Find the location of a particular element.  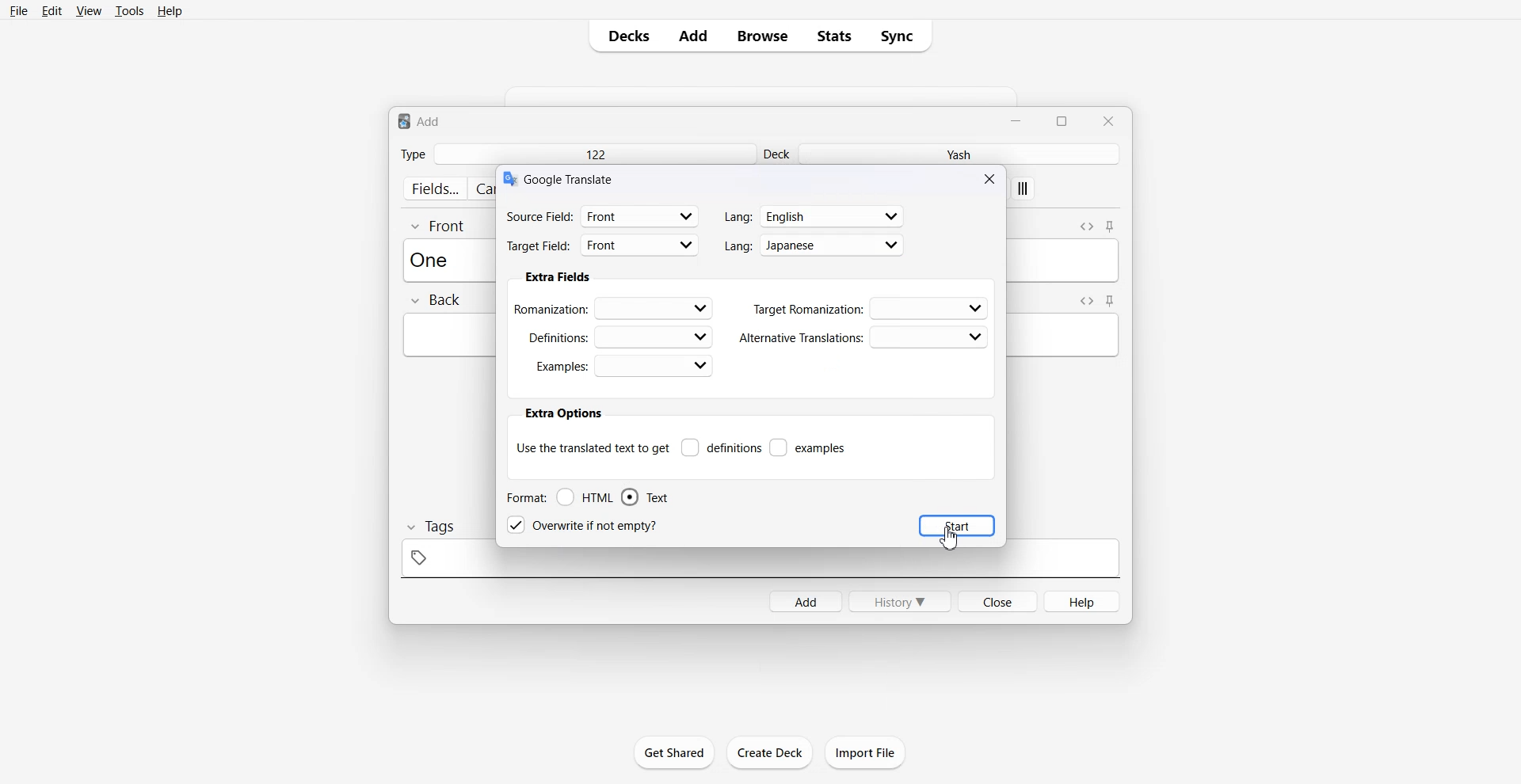

History is located at coordinates (900, 601).